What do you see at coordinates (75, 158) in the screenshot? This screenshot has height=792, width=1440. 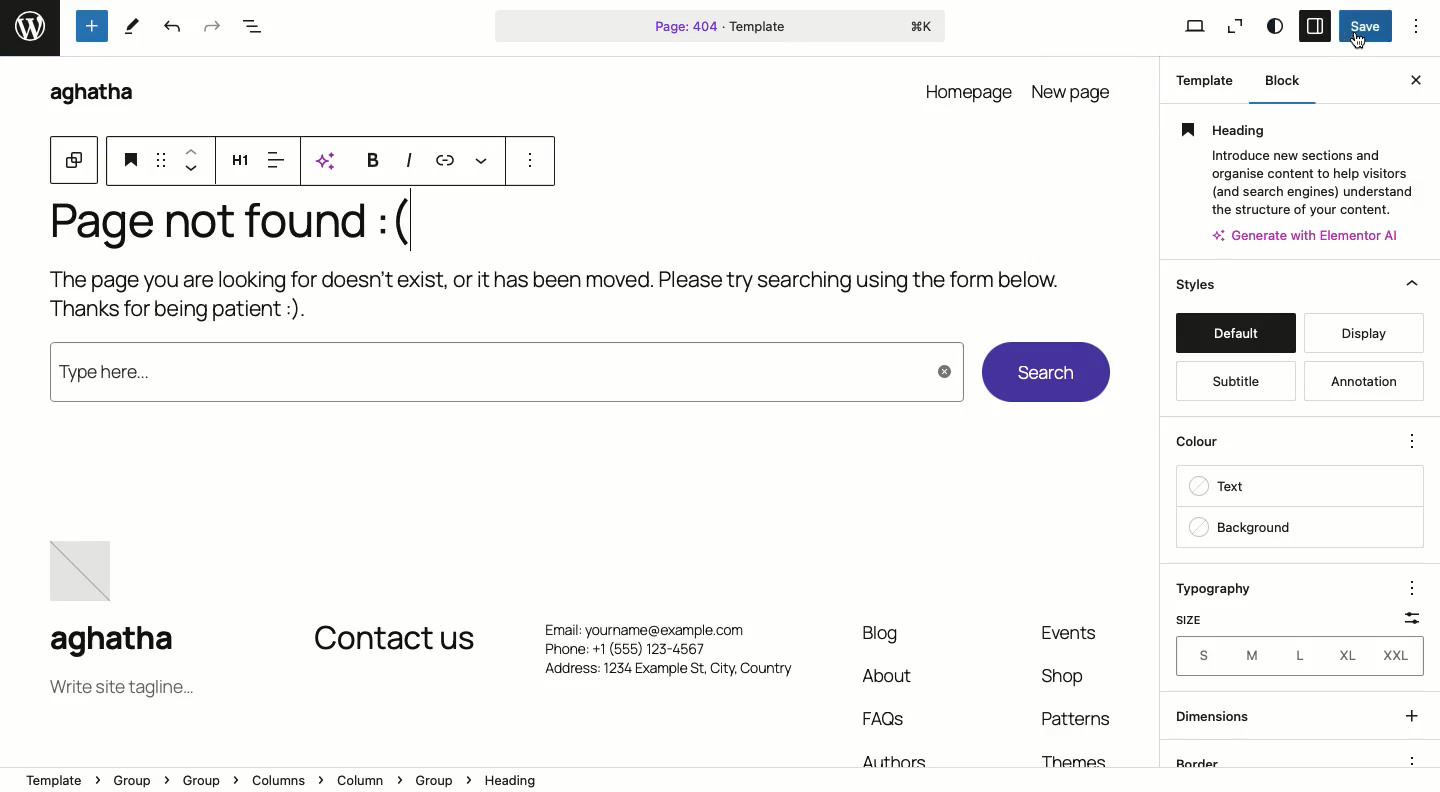 I see `Block` at bounding box center [75, 158].